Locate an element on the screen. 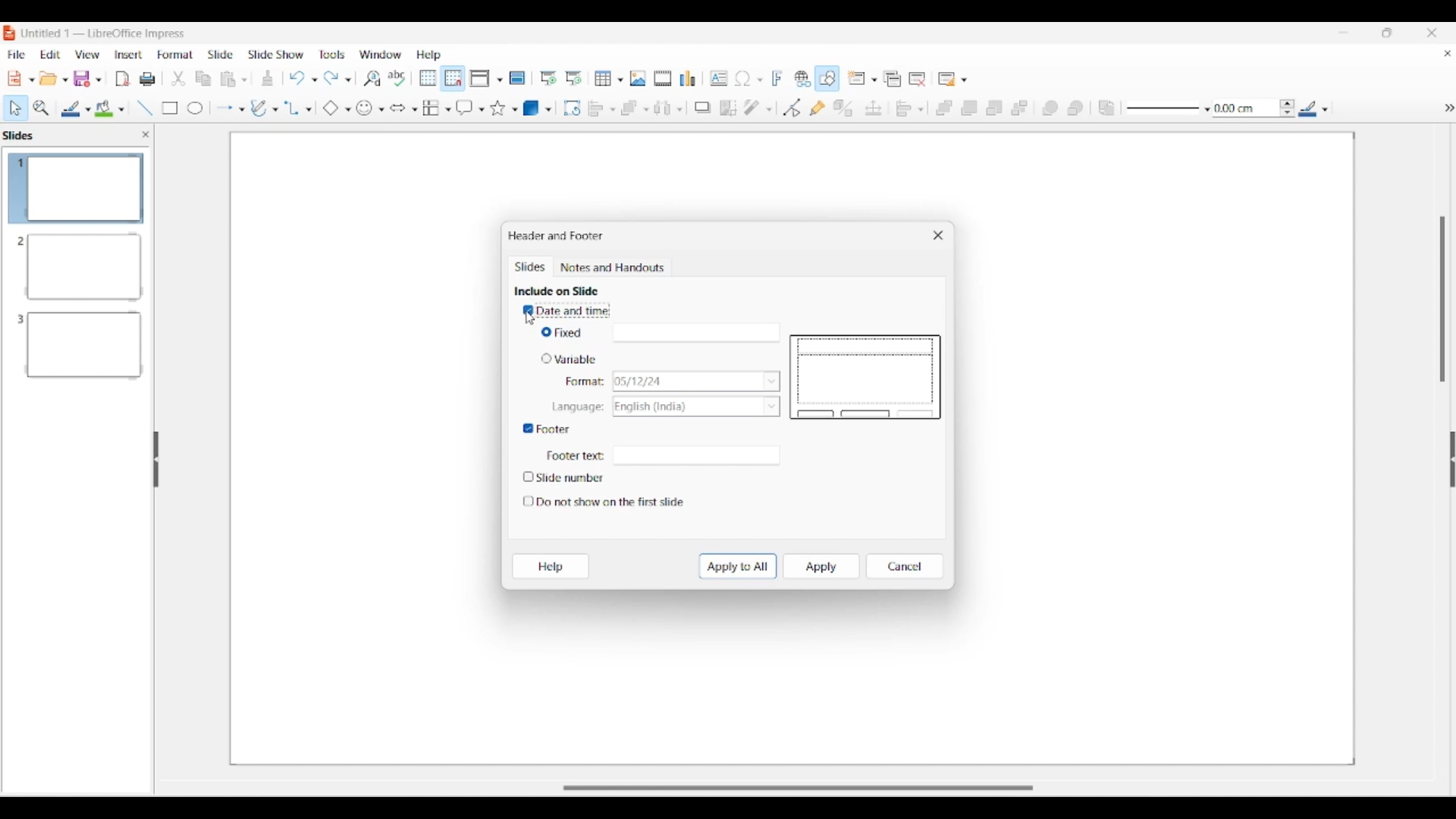 The height and width of the screenshot is (819, 1456). Save options is located at coordinates (88, 79).